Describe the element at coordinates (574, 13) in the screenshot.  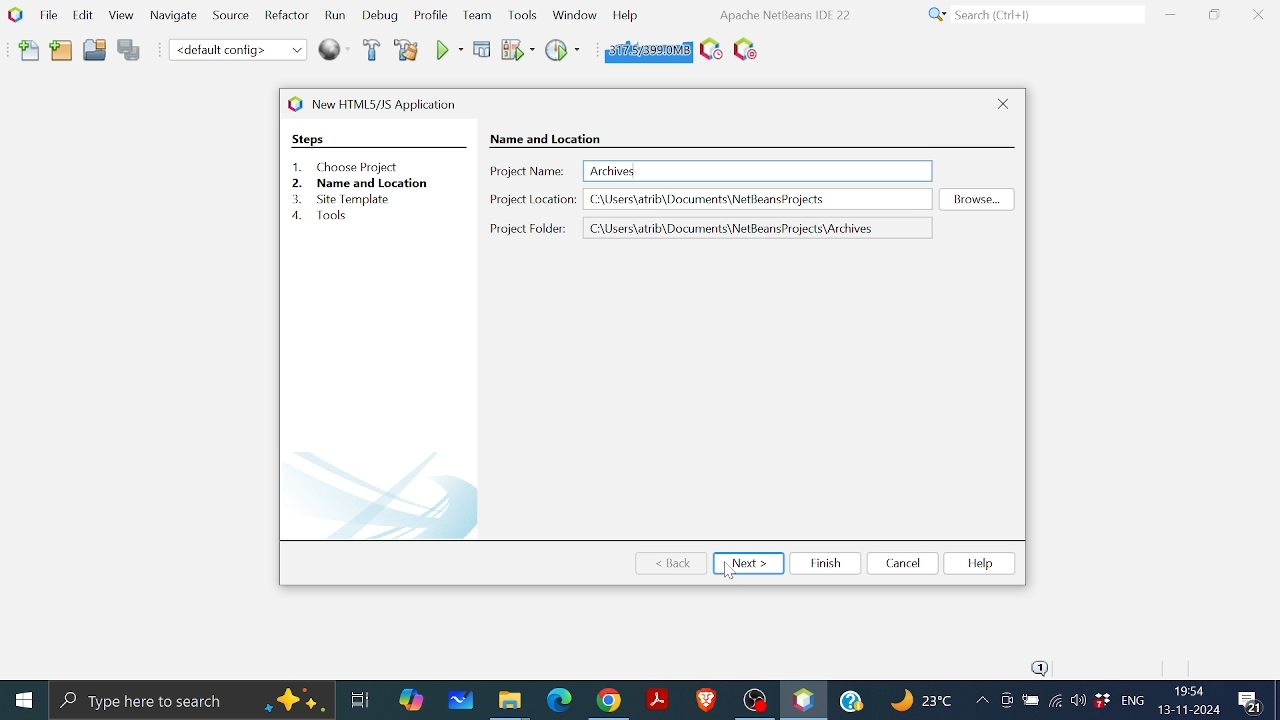
I see `windows` at that location.